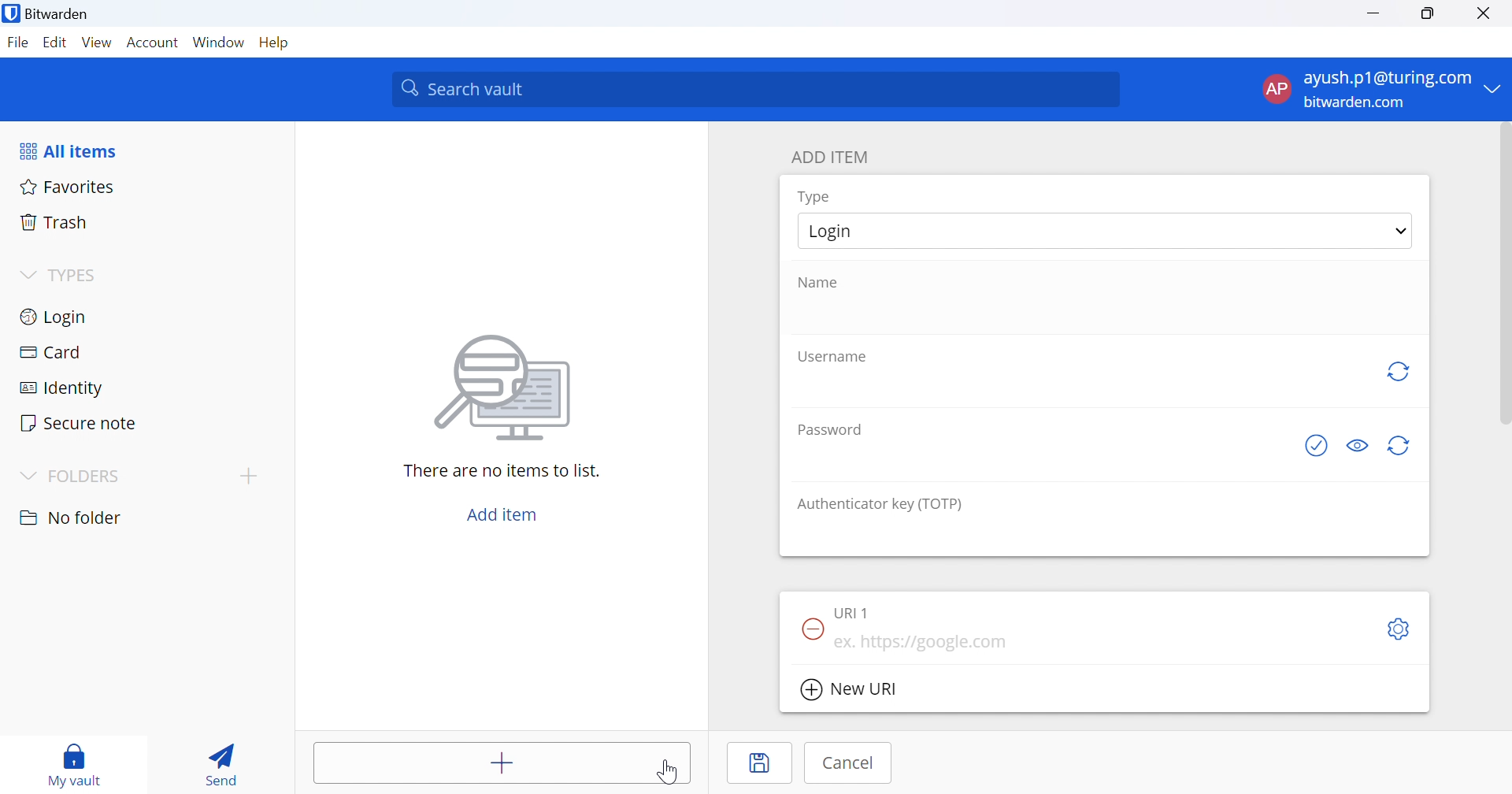 This screenshot has height=794, width=1512. I want to click on Regenerate username, so click(1401, 374).